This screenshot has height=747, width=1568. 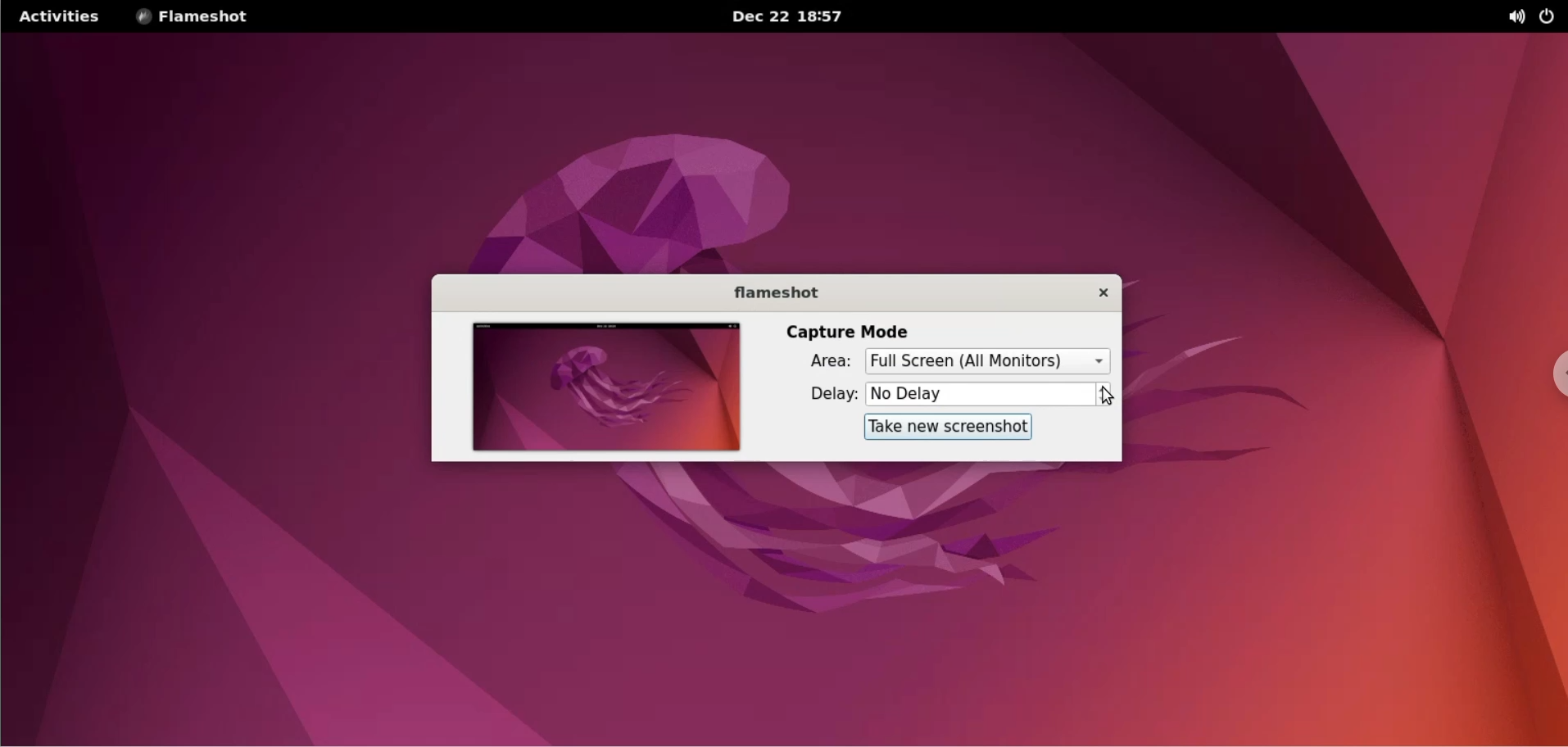 What do you see at coordinates (990, 360) in the screenshot?
I see `selected area option` at bounding box center [990, 360].